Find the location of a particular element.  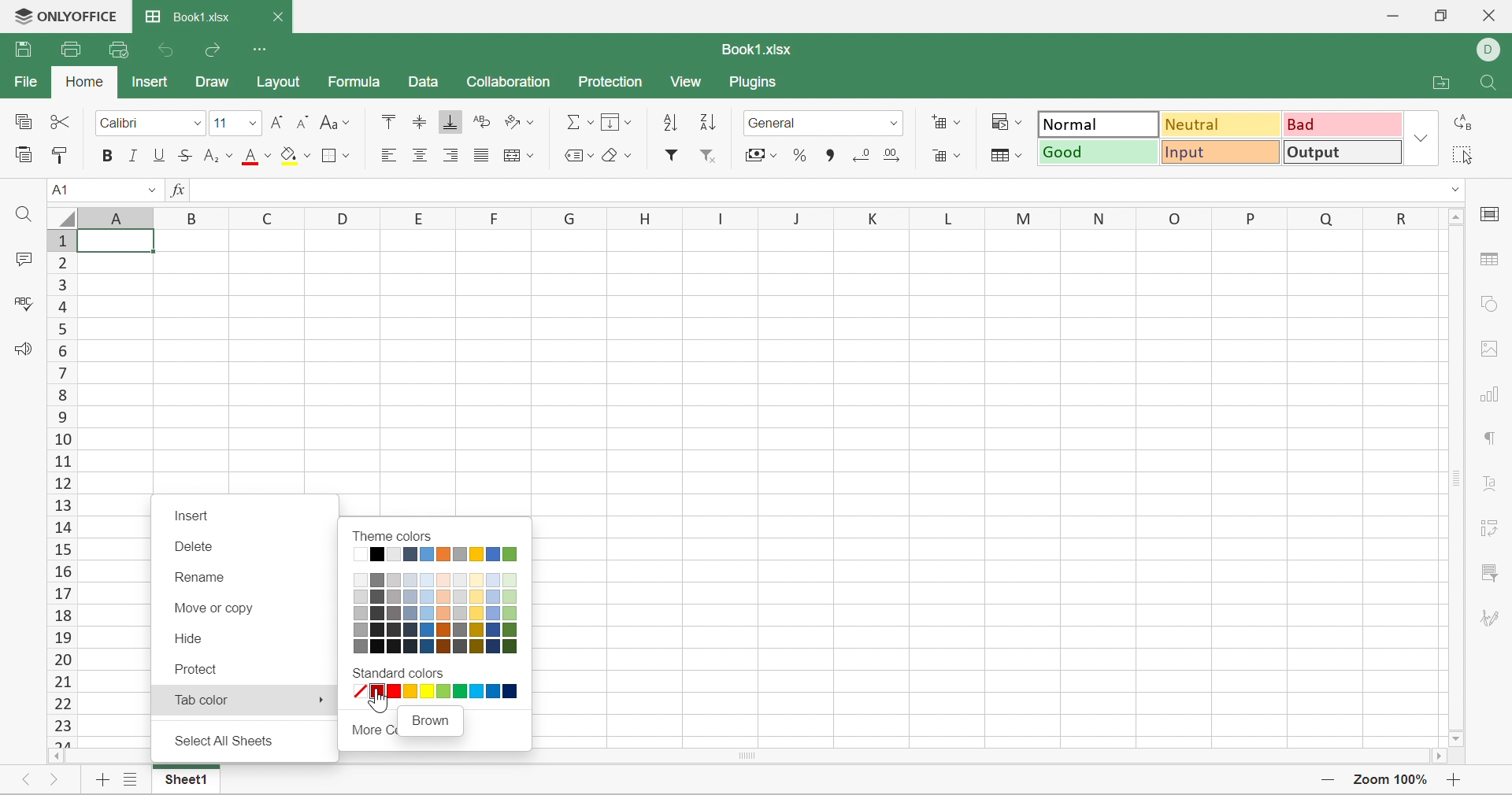

Increase font size is located at coordinates (279, 124).